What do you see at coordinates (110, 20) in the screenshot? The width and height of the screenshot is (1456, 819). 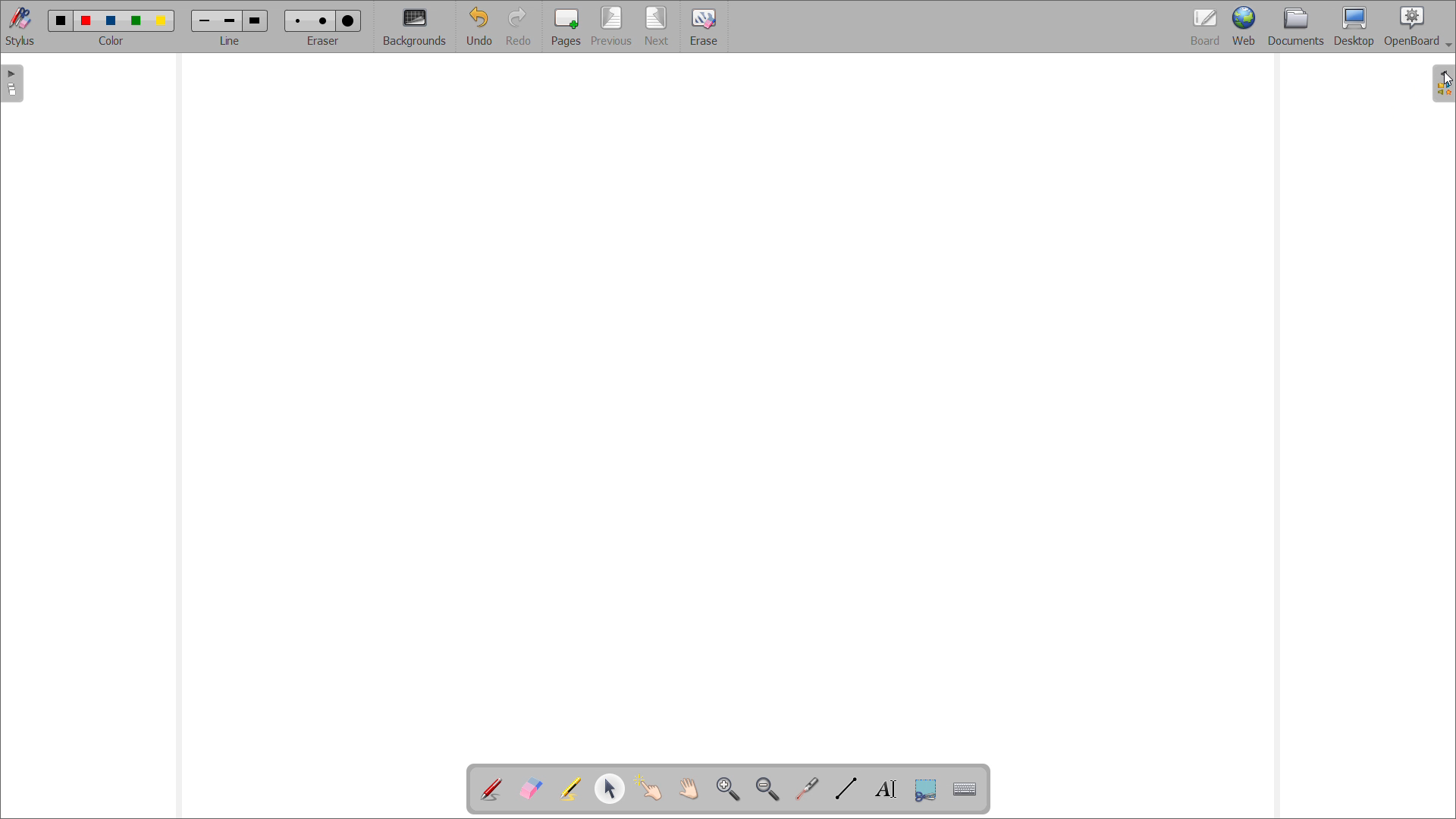 I see `Color 3` at bounding box center [110, 20].